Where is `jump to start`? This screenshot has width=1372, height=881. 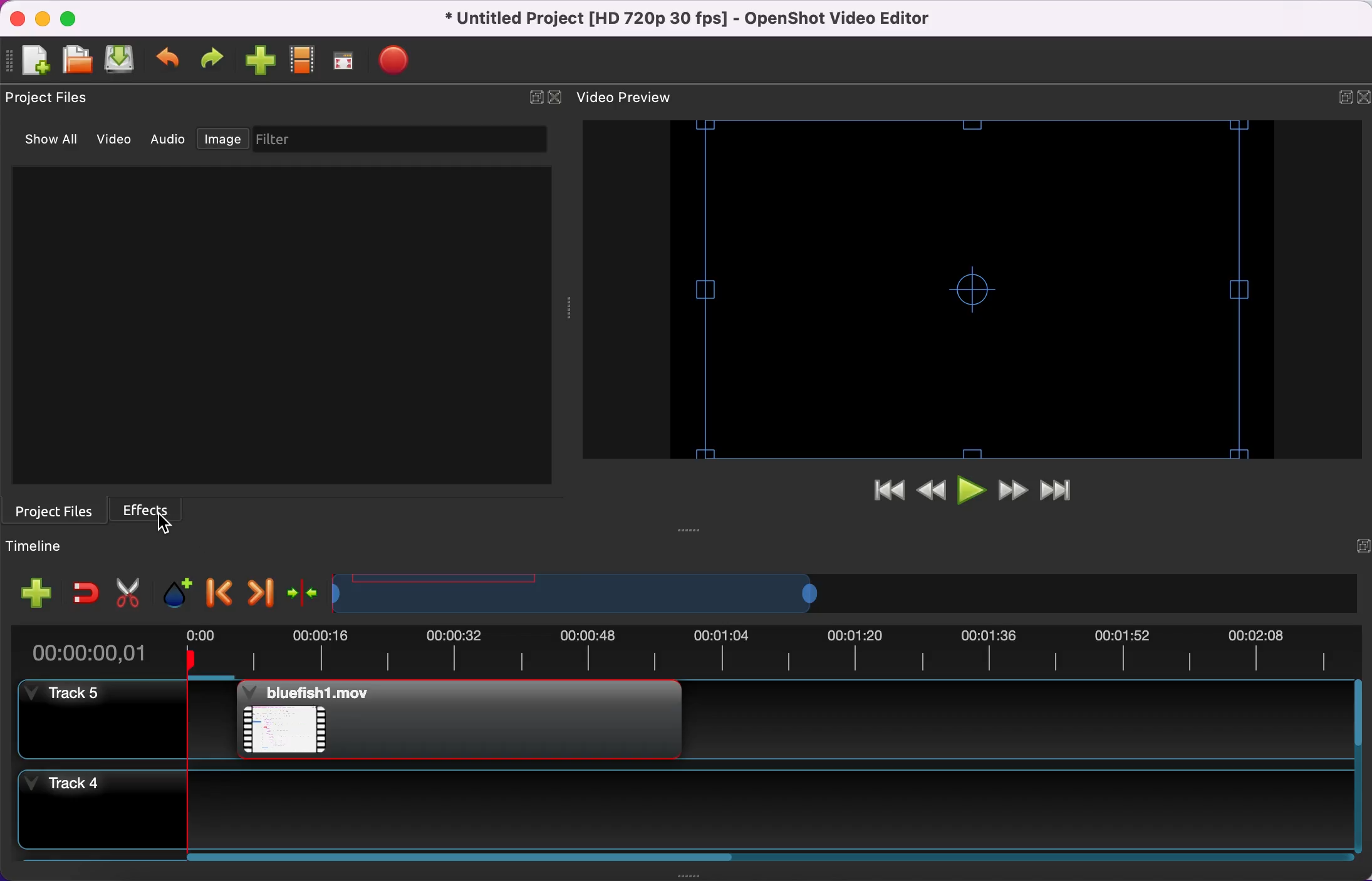
jump to start is located at coordinates (881, 493).